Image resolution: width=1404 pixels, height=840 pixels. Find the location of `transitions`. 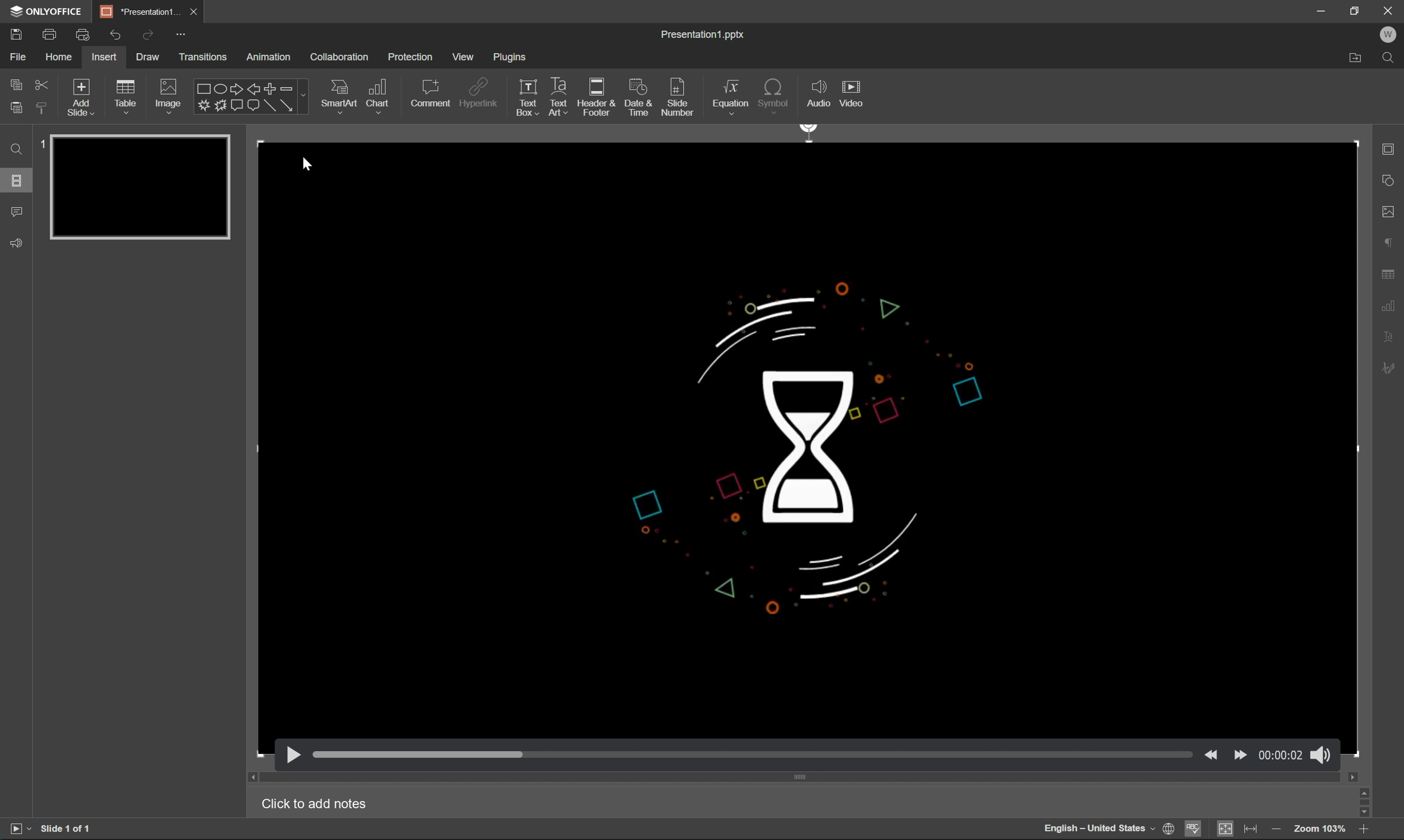

transitions is located at coordinates (209, 57).